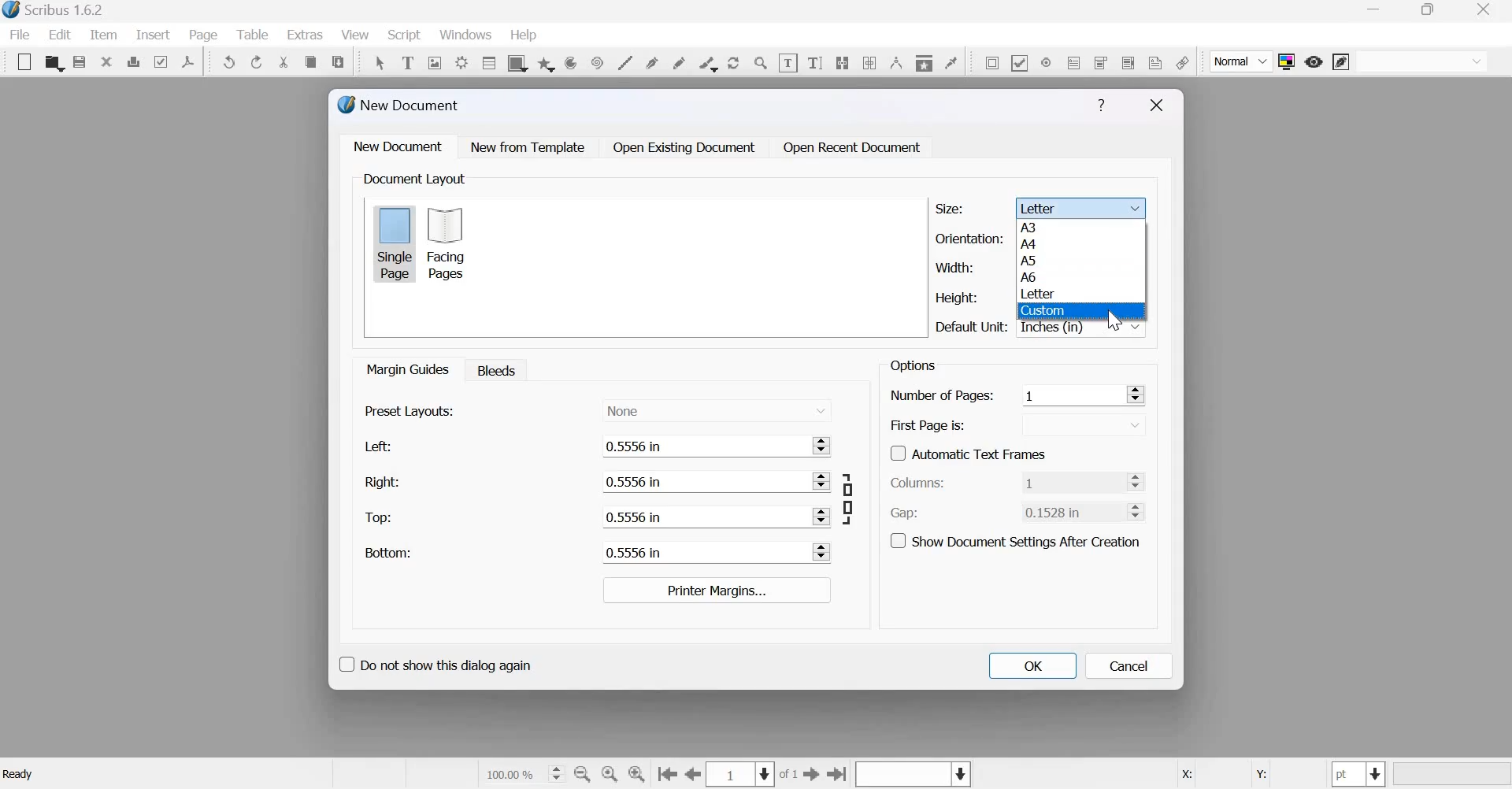  What do you see at coordinates (1422, 61) in the screenshot?
I see `normal vision` at bounding box center [1422, 61].